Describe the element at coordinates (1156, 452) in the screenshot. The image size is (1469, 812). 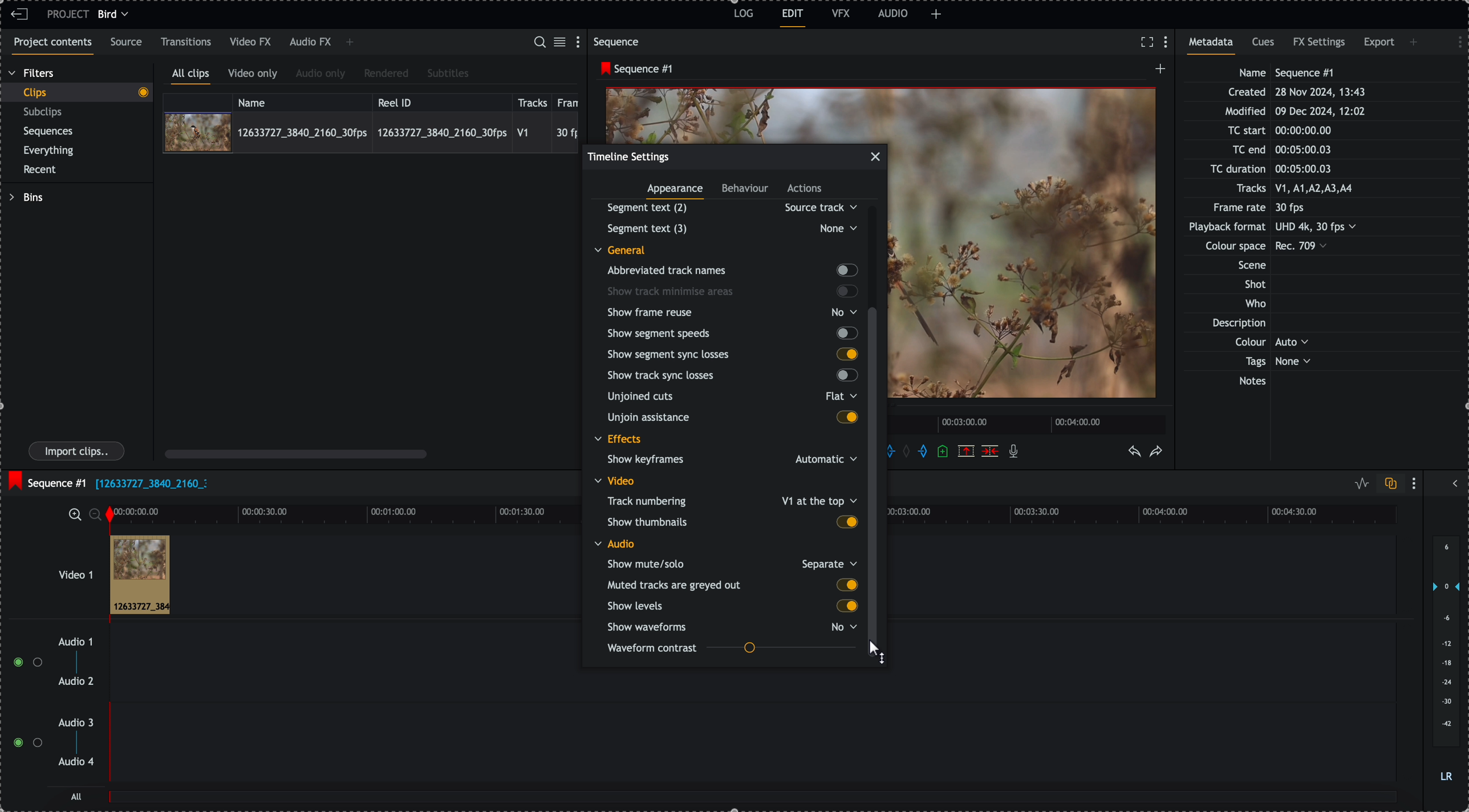
I see `redo` at that location.